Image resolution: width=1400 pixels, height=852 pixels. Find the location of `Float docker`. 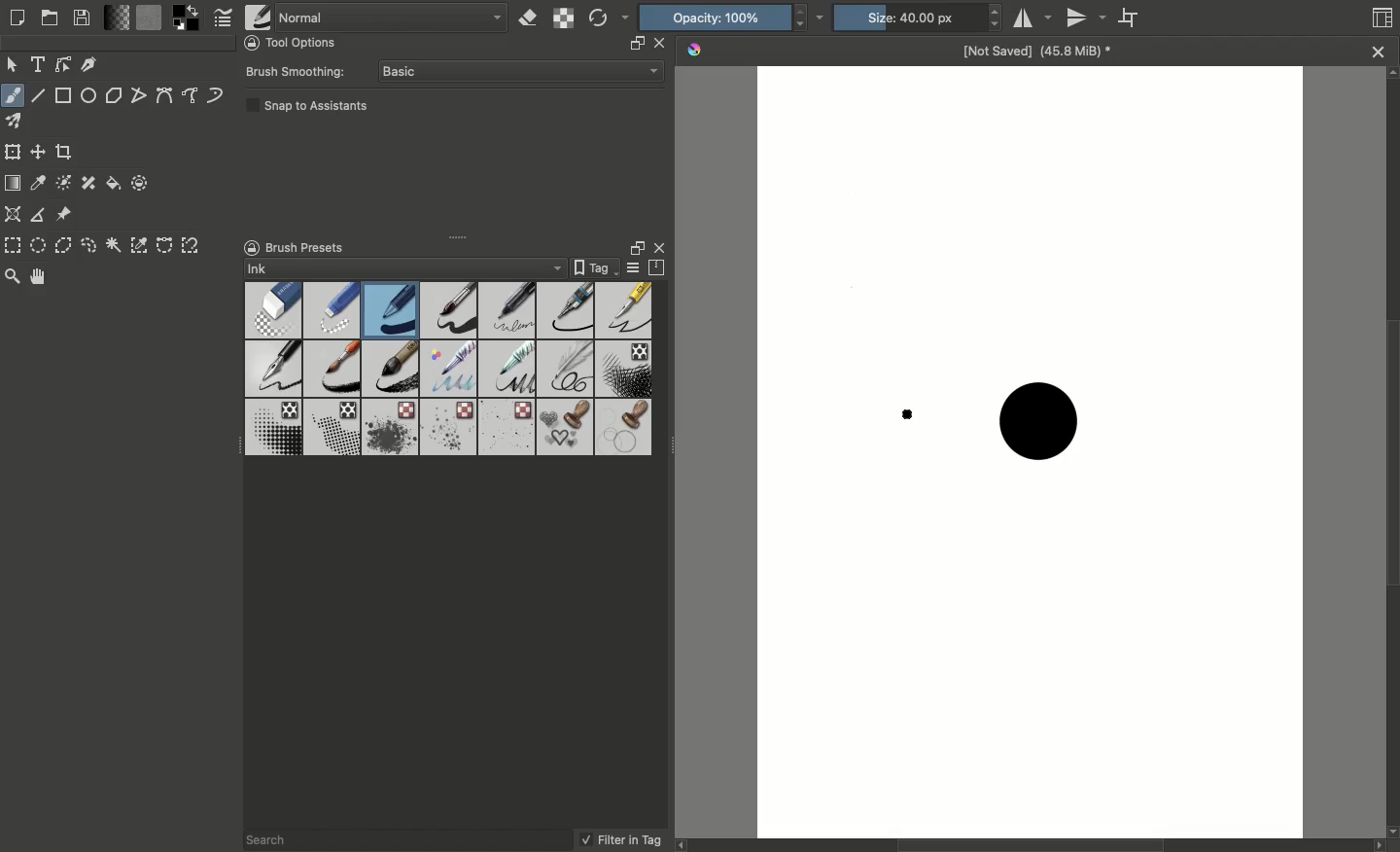

Float docker is located at coordinates (634, 247).